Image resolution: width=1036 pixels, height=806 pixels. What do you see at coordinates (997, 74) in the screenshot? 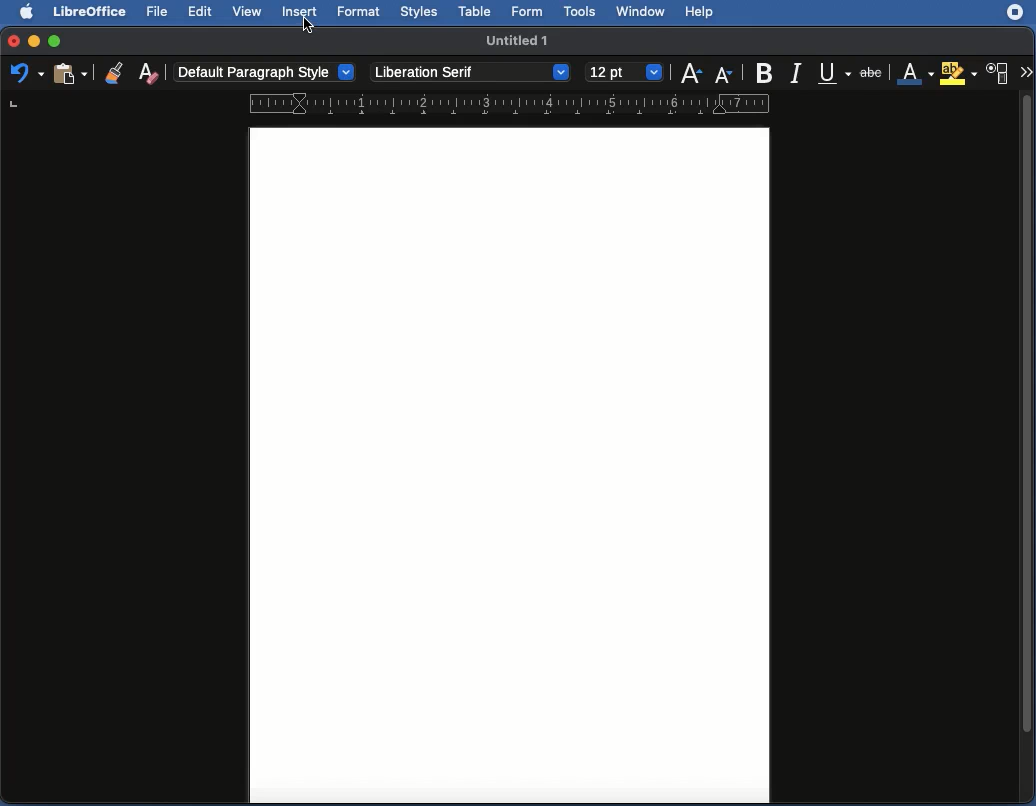
I see `Character` at bounding box center [997, 74].